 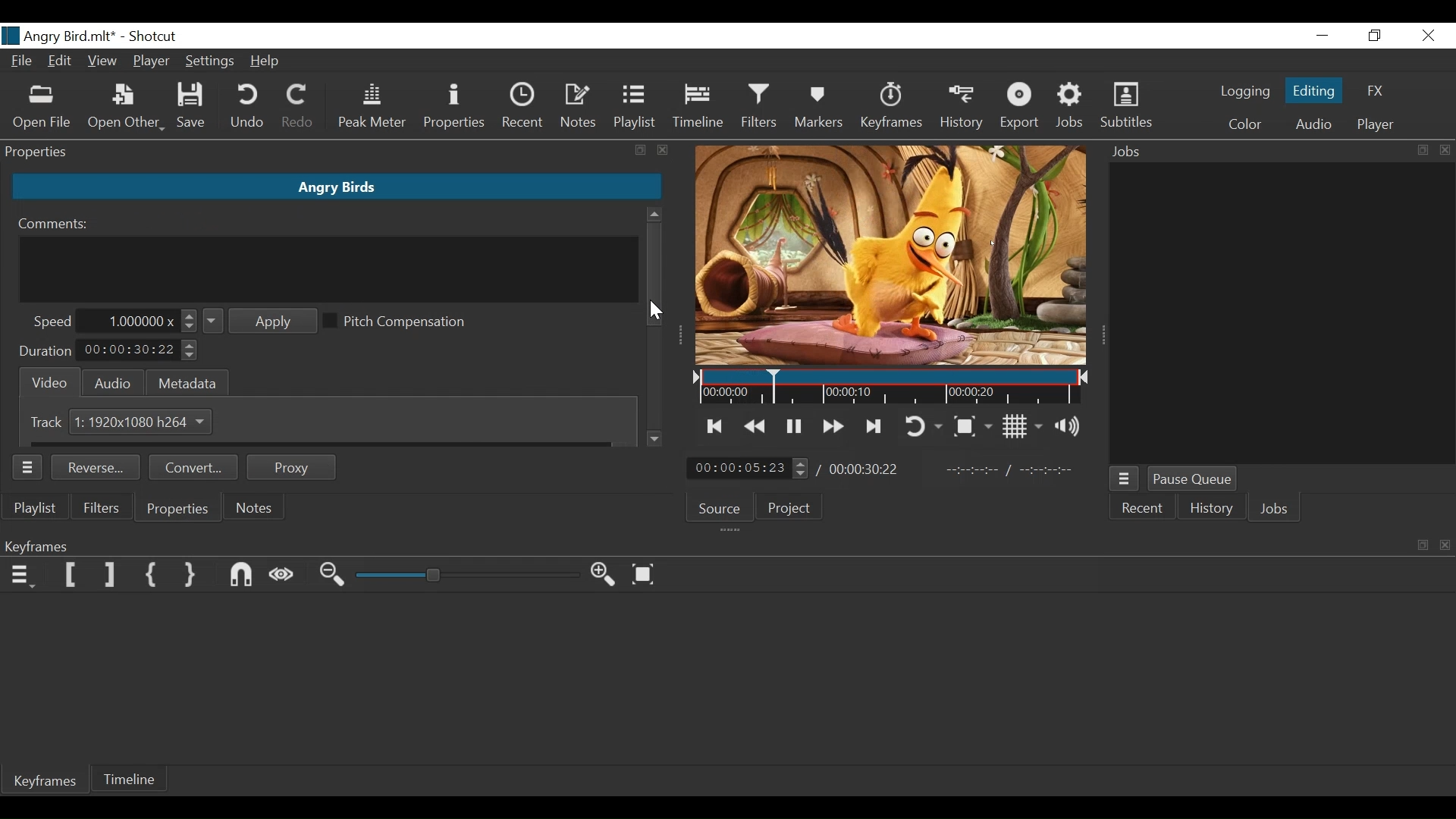 I want to click on Play backward quickly, so click(x=755, y=426).